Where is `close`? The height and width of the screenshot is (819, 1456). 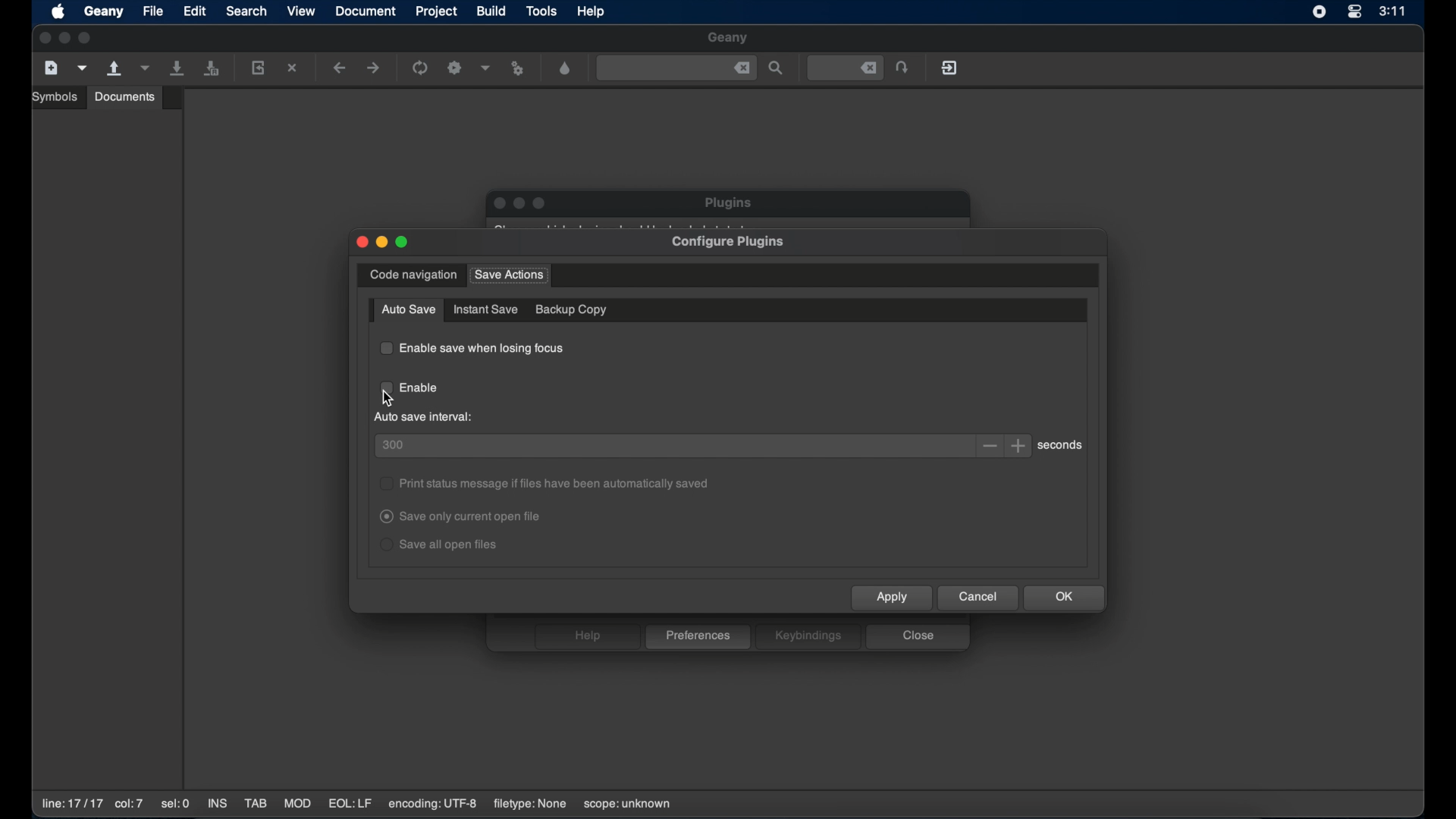
close is located at coordinates (497, 203).